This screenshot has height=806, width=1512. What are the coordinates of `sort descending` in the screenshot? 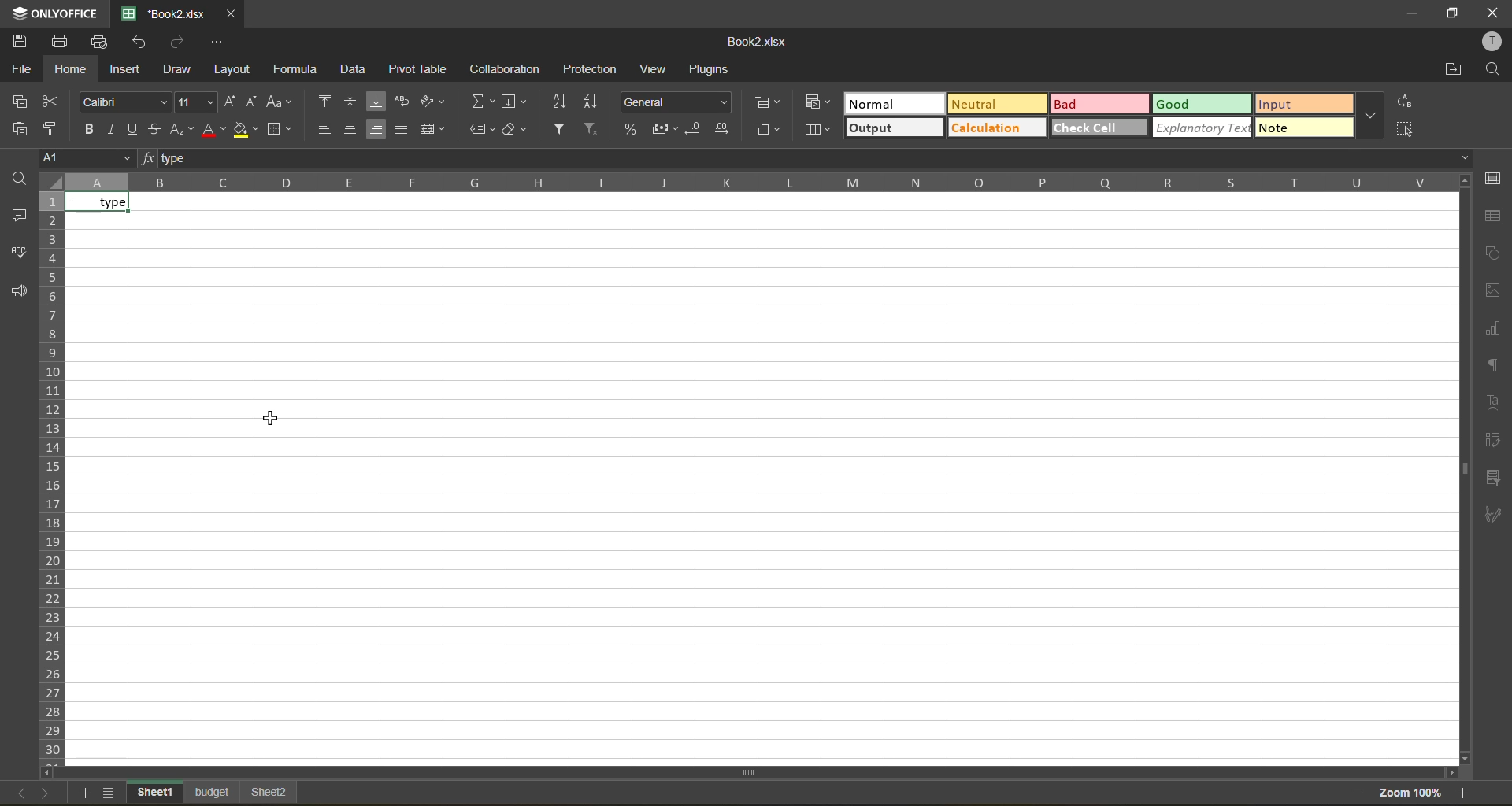 It's located at (595, 102).